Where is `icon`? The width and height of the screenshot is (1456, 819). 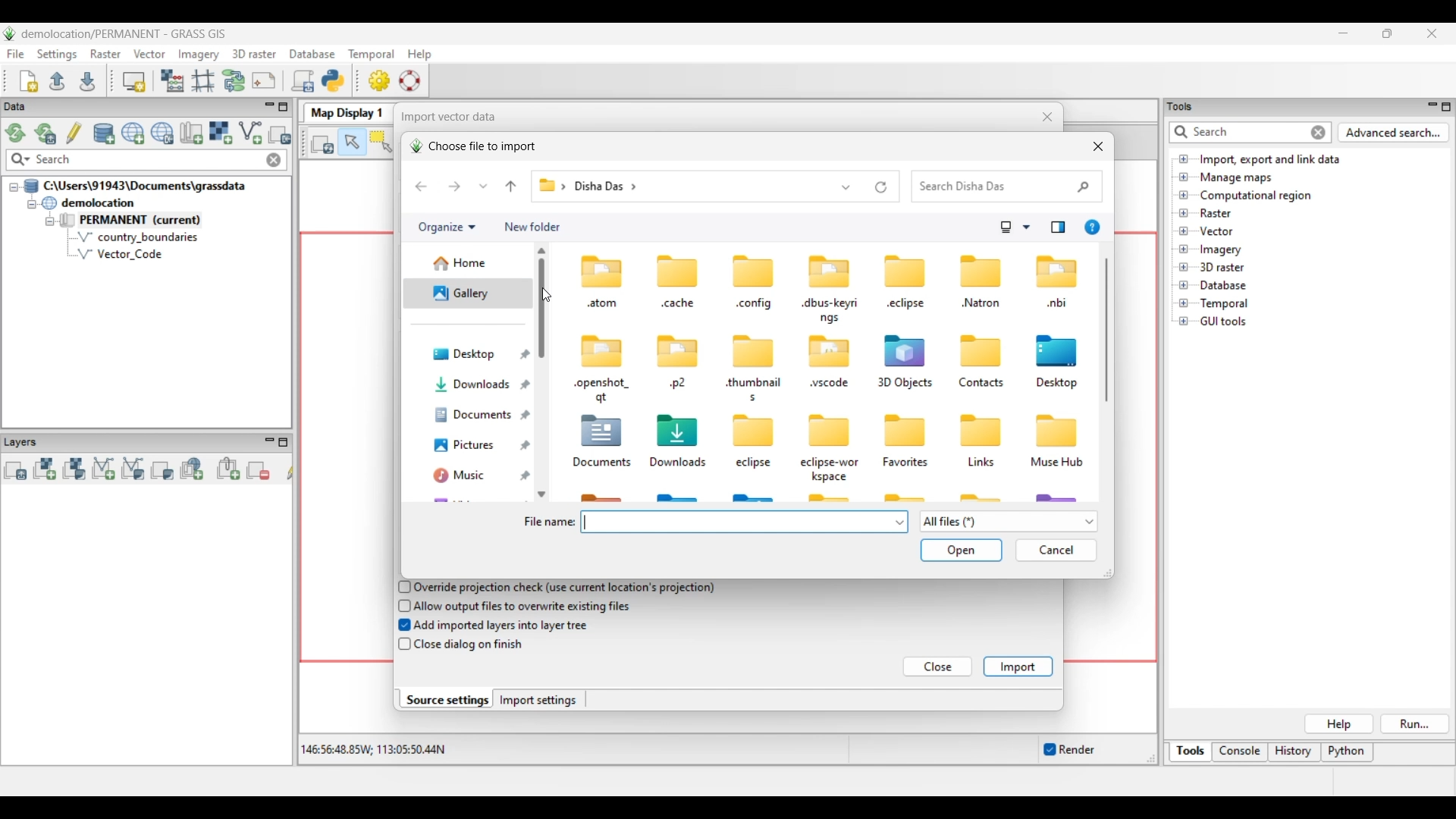
icon is located at coordinates (679, 428).